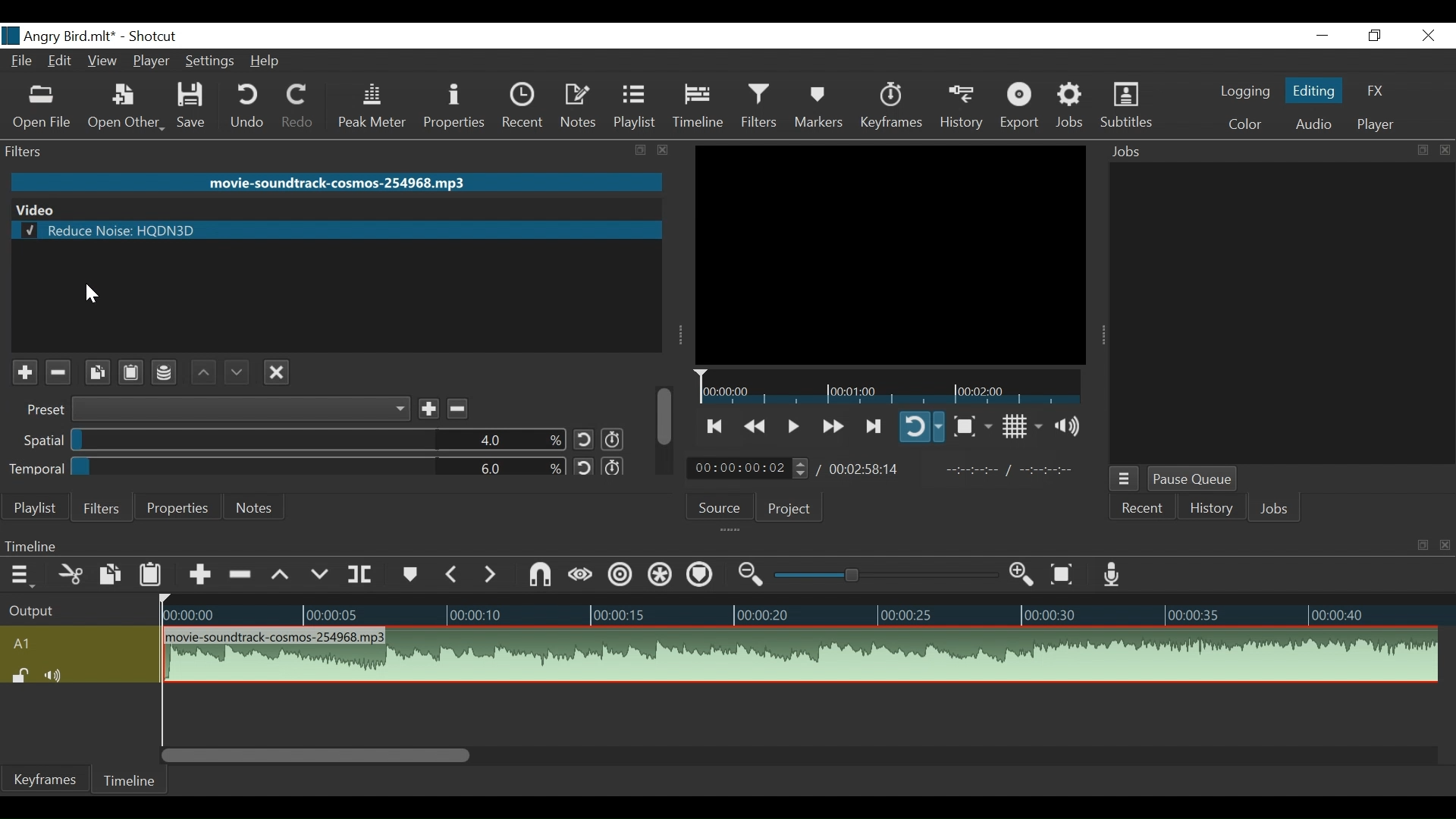  I want to click on Current Duration, so click(748, 467).